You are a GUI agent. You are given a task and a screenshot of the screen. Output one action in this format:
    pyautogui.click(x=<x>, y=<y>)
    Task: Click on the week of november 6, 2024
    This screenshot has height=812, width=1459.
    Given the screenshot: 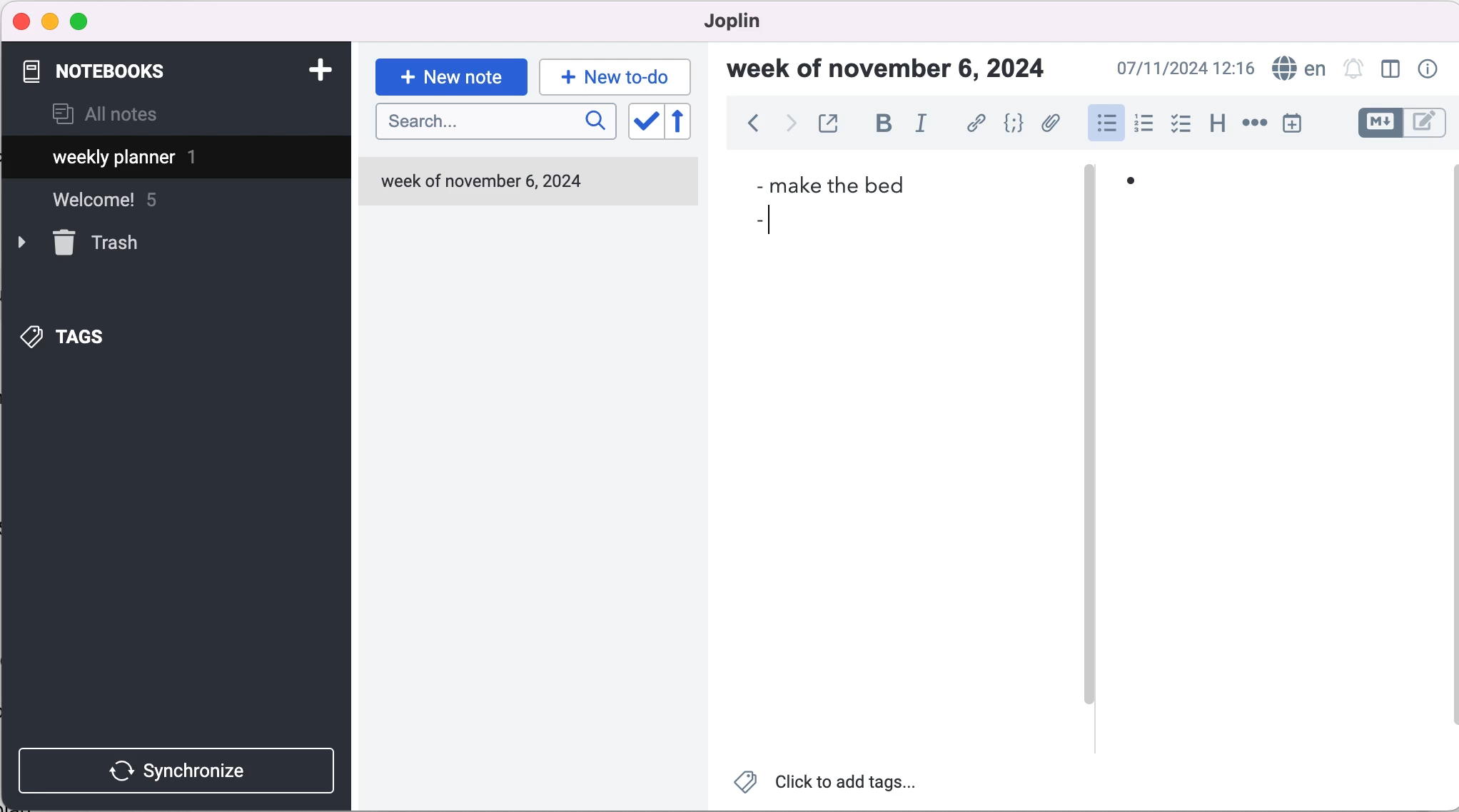 What is the action you would take?
    pyautogui.click(x=894, y=71)
    